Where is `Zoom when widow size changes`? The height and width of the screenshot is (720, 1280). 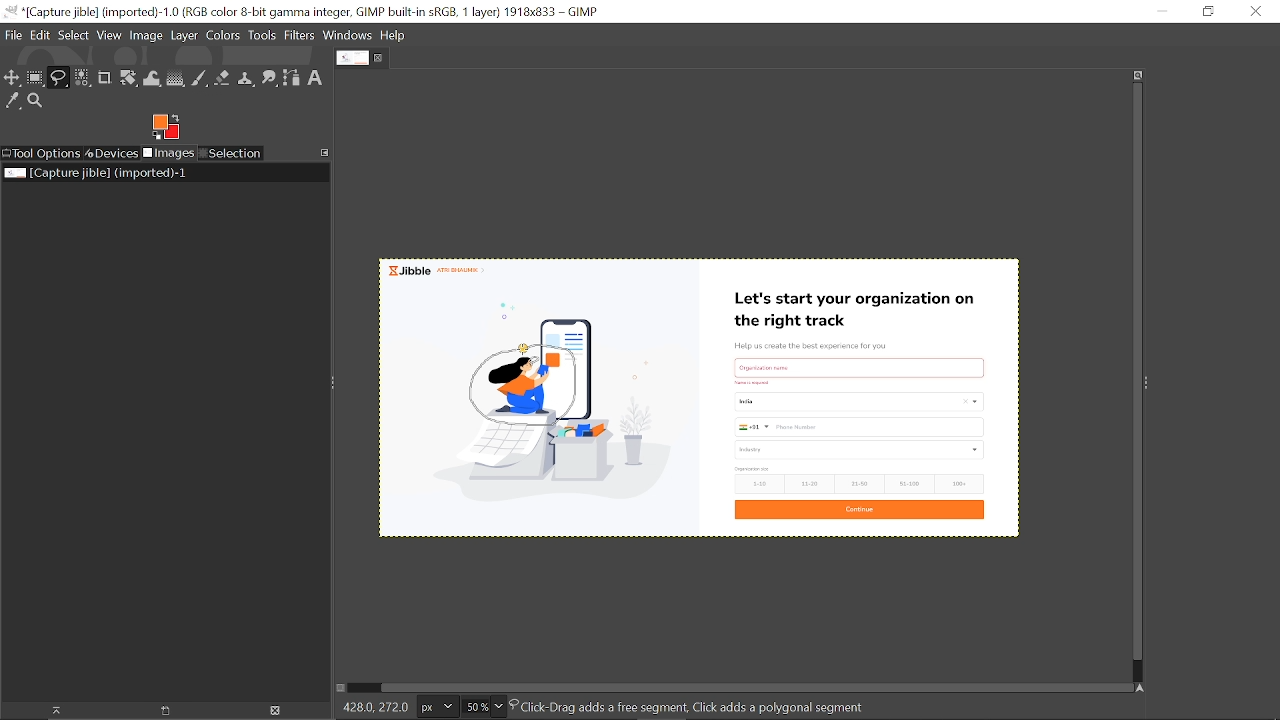
Zoom when widow size changes is located at coordinates (1138, 75).